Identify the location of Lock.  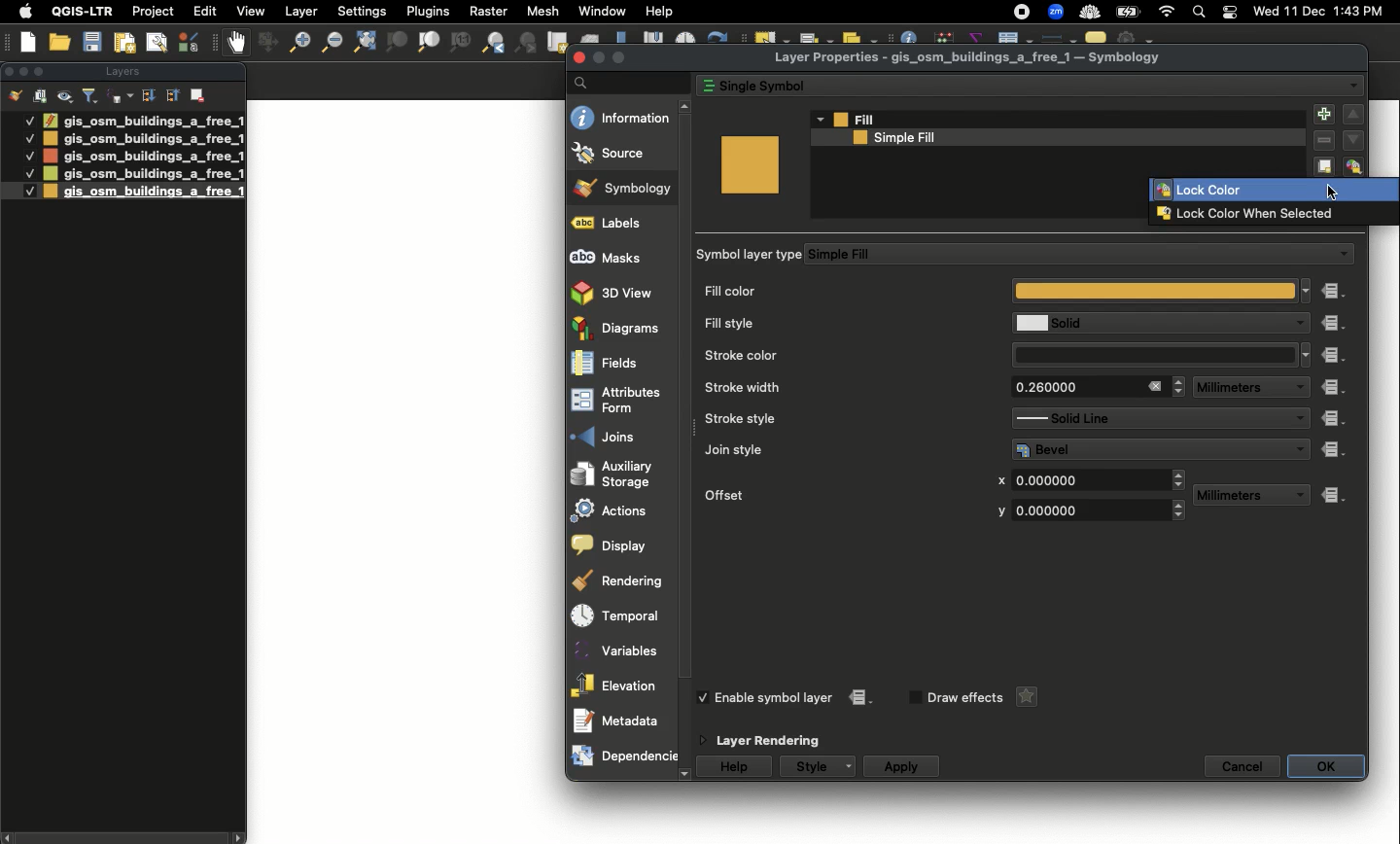
(1356, 166).